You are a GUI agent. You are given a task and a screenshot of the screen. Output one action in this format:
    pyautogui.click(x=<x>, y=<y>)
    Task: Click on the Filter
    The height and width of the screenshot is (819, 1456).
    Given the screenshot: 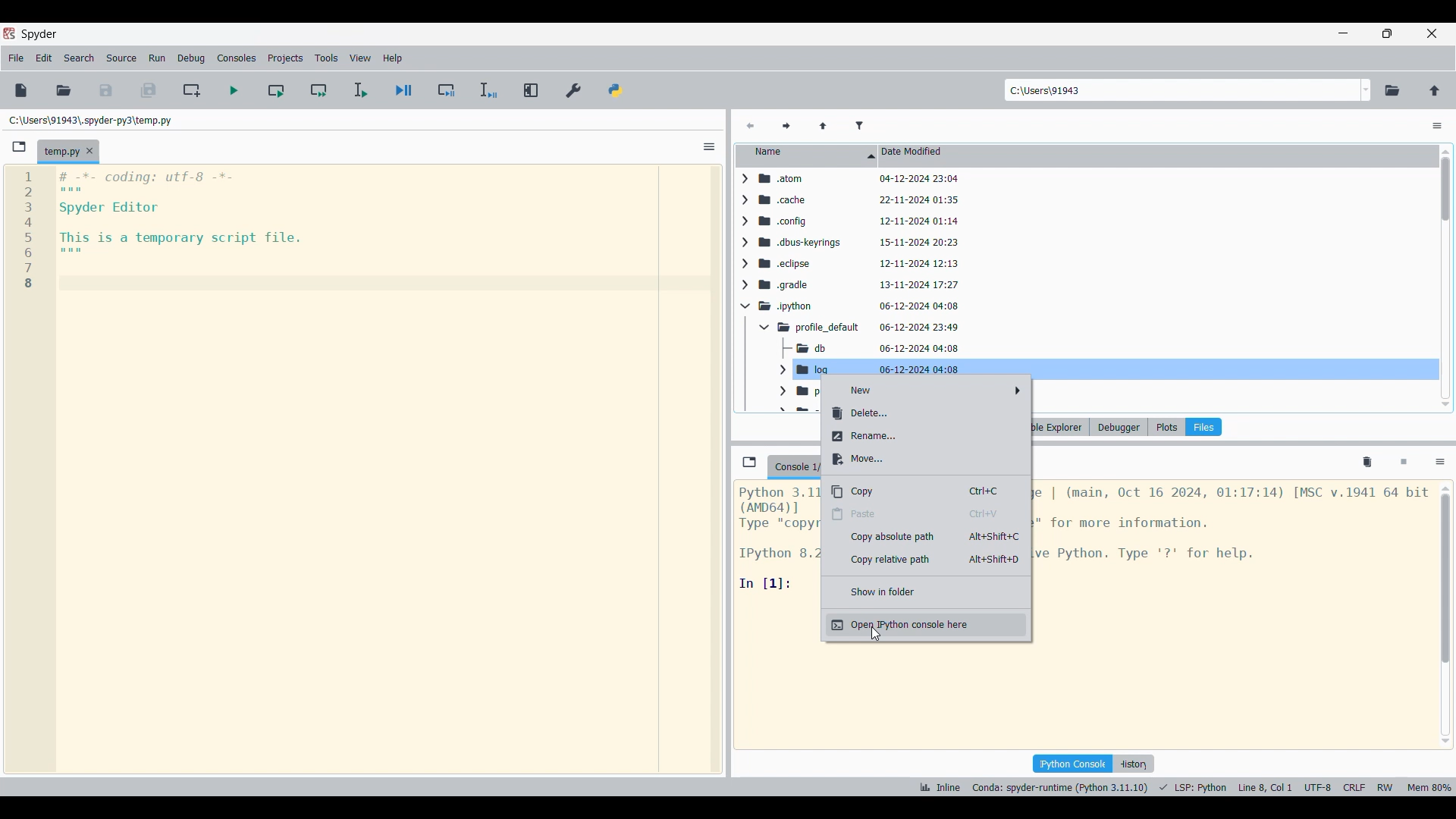 What is the action you would take?
    pyautogui.click(x=859, y=127)
    